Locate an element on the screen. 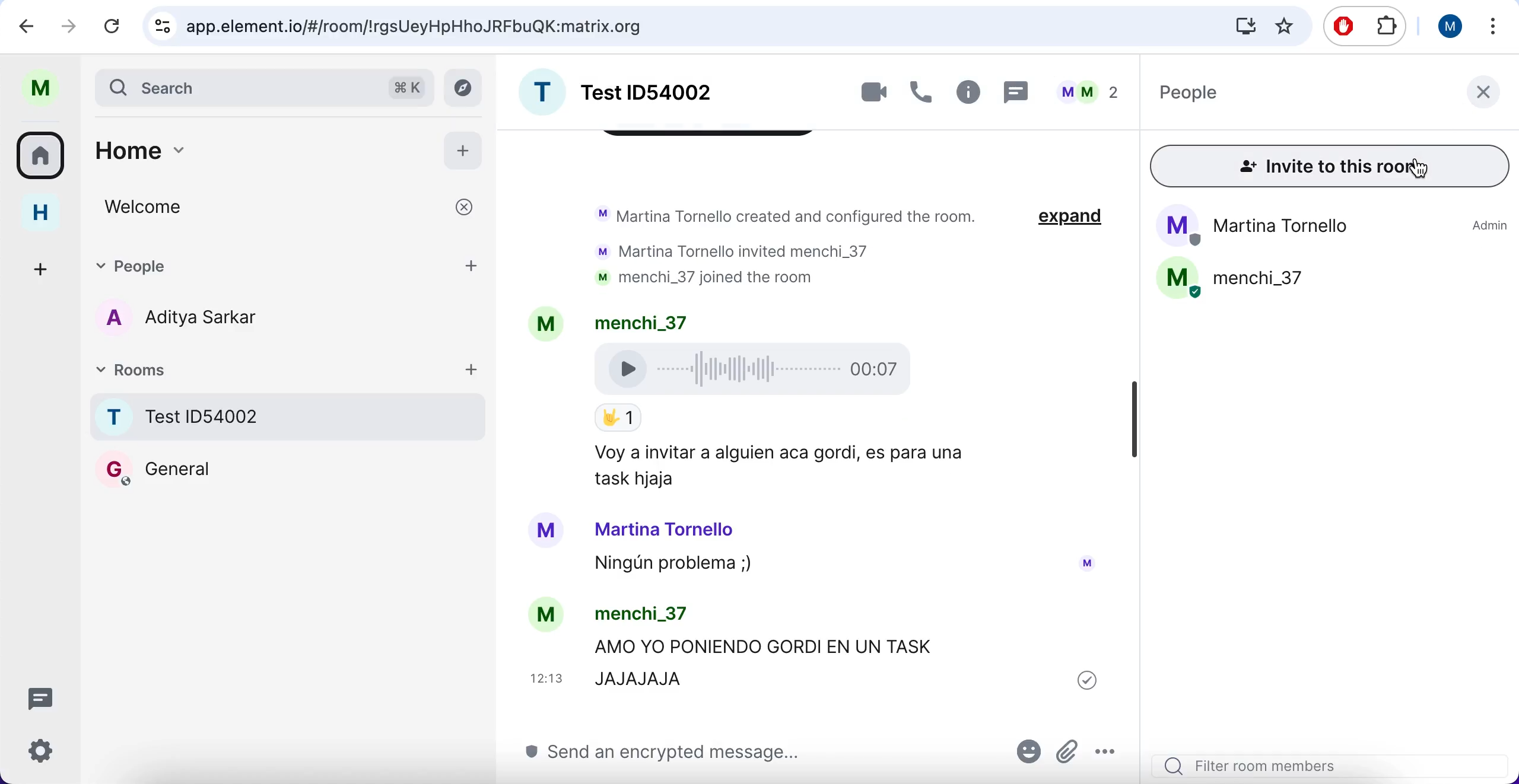 This screenshot has width=1519, height=784. Cursor is located at coordinates (1419, 168).